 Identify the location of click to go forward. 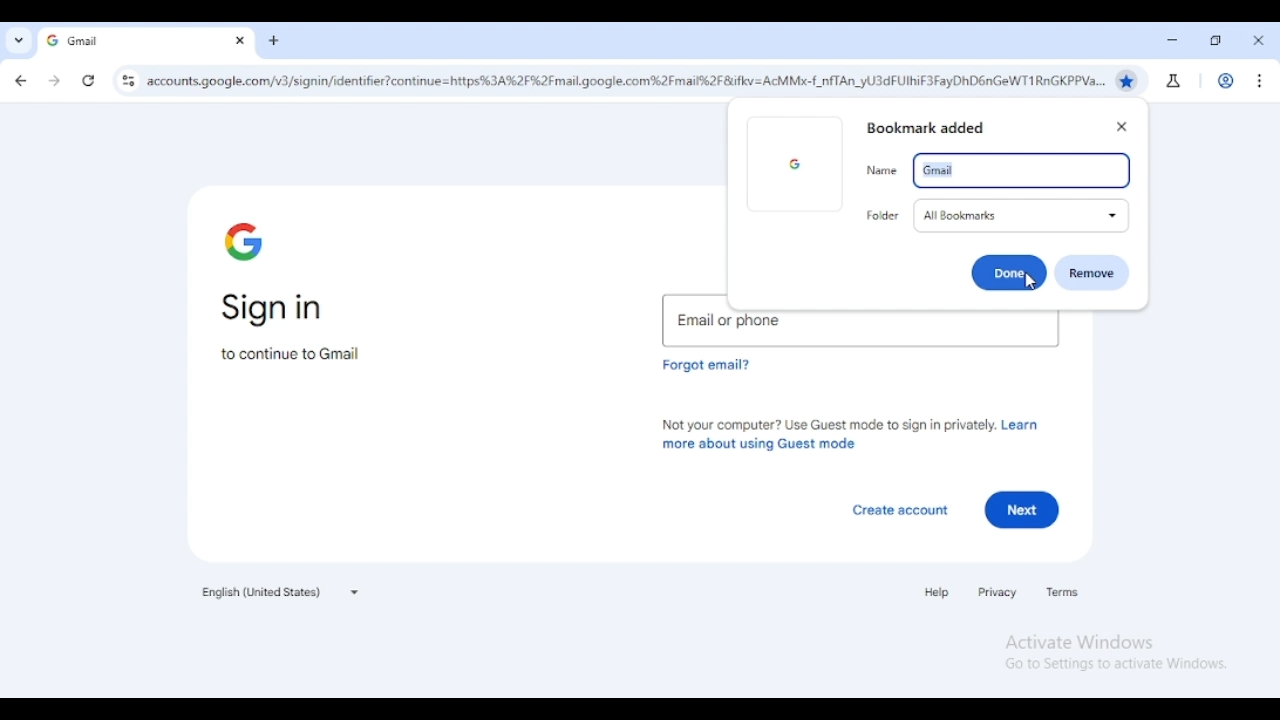
(54, 82).